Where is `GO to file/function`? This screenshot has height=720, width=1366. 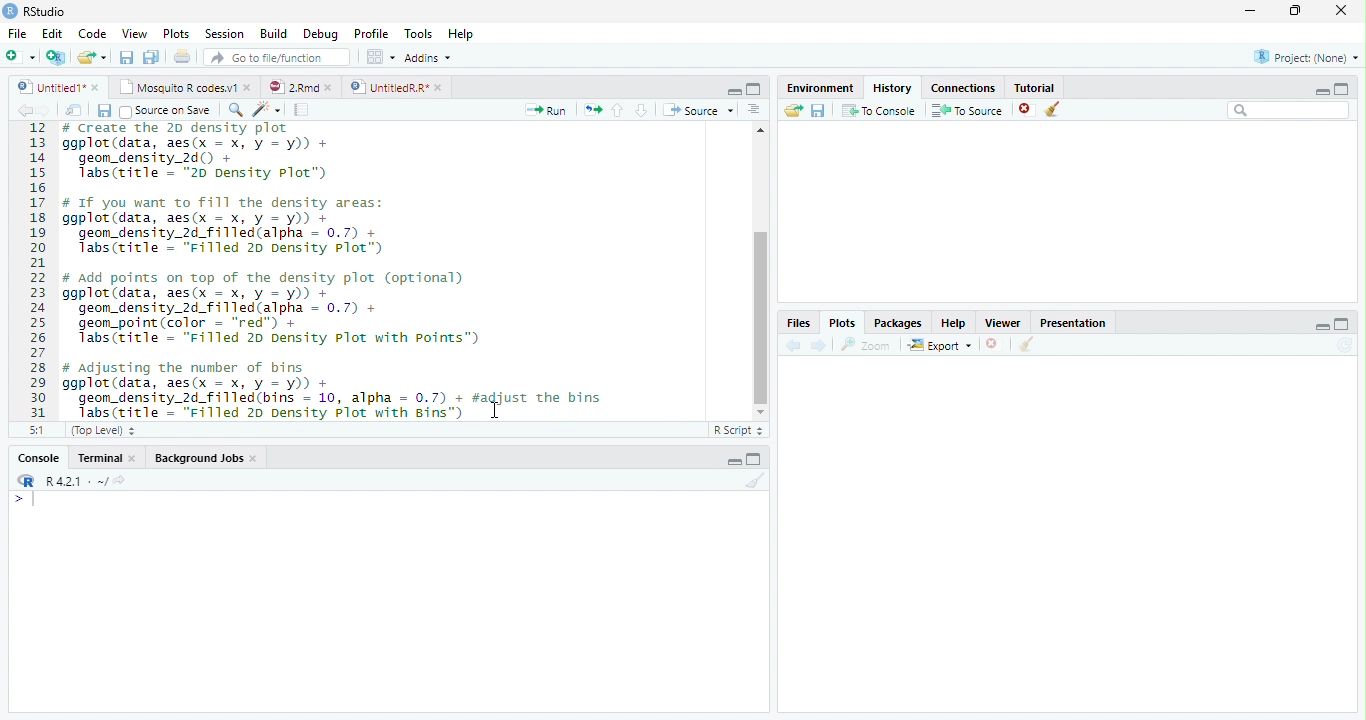 GO to file/function is located at coordinates (273, 57).